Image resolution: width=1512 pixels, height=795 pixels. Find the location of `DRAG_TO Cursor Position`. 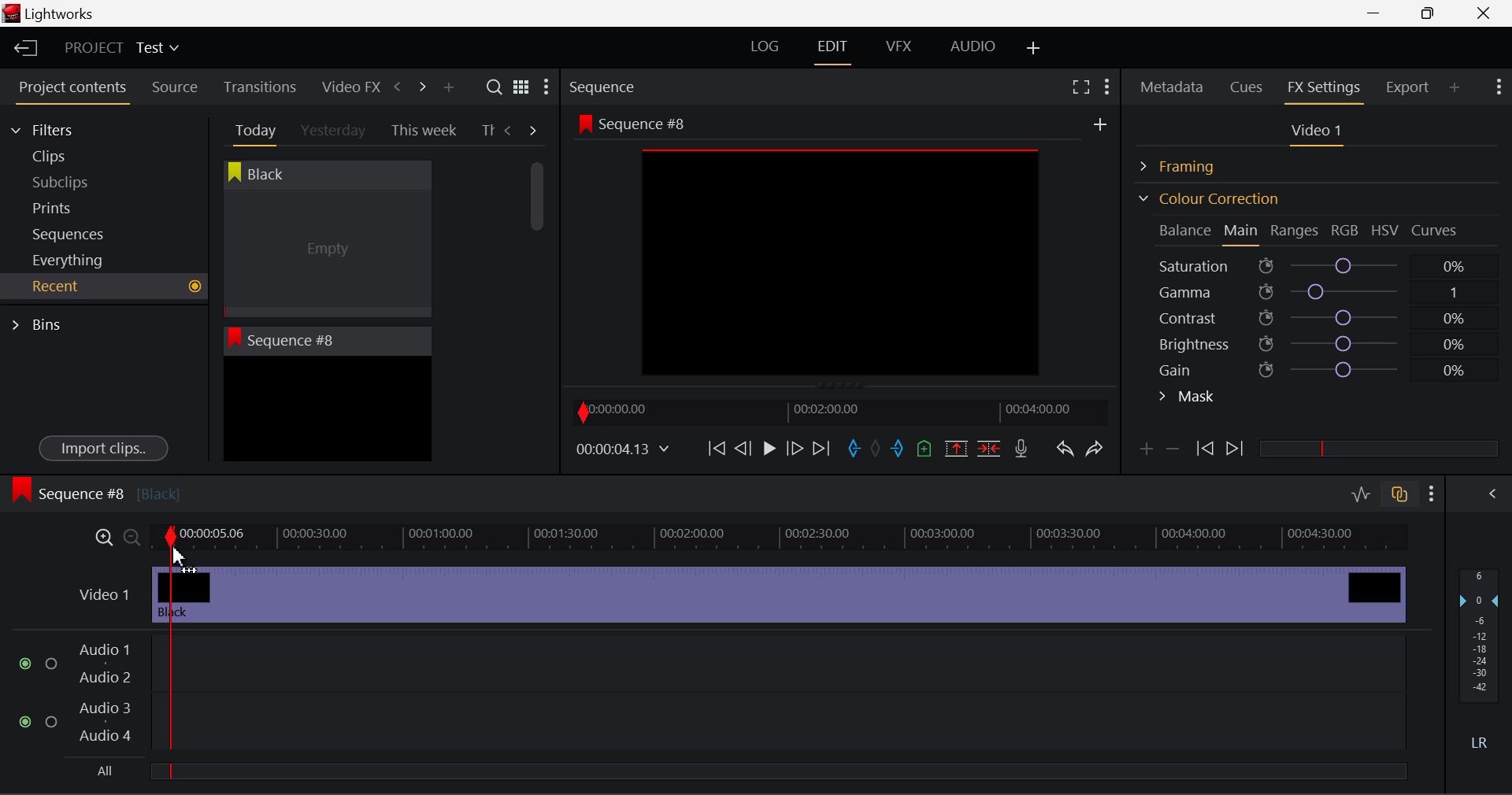

DRAG_TO Cursor Position is located at coordinates (180, 560).